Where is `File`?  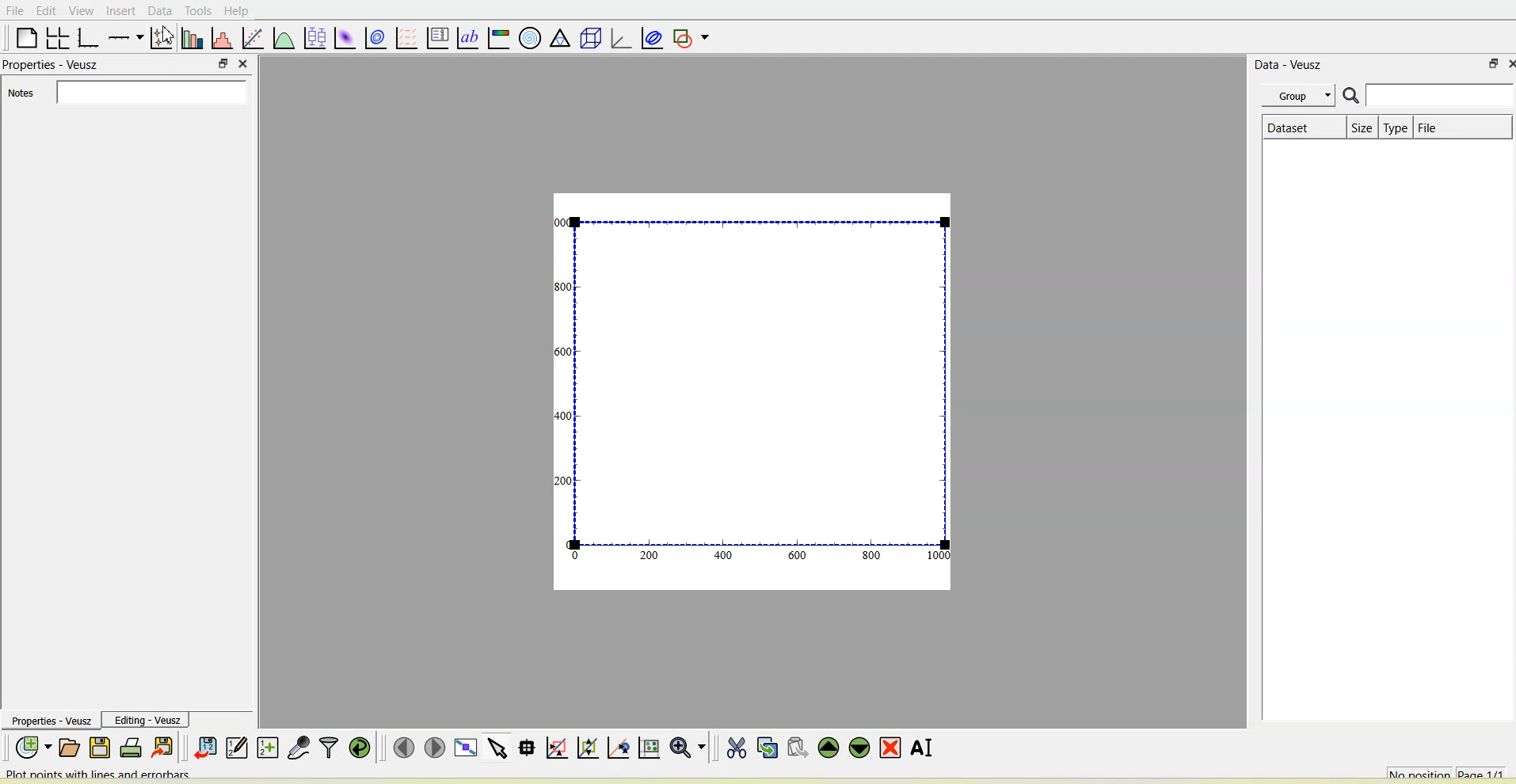
File is located at coordinates (17, 11).